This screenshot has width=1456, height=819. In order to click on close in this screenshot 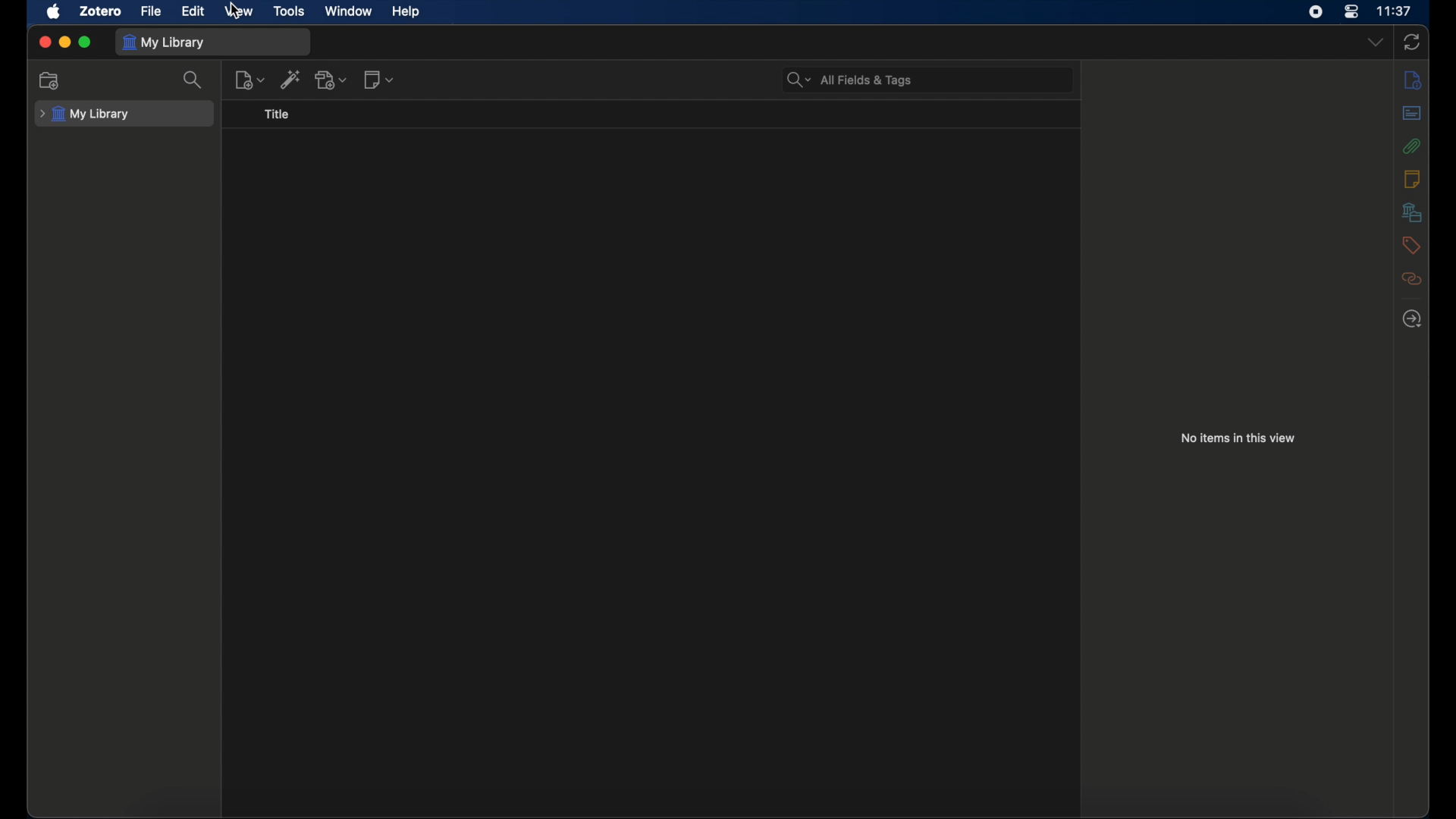, I will do `click(44, 42)`.